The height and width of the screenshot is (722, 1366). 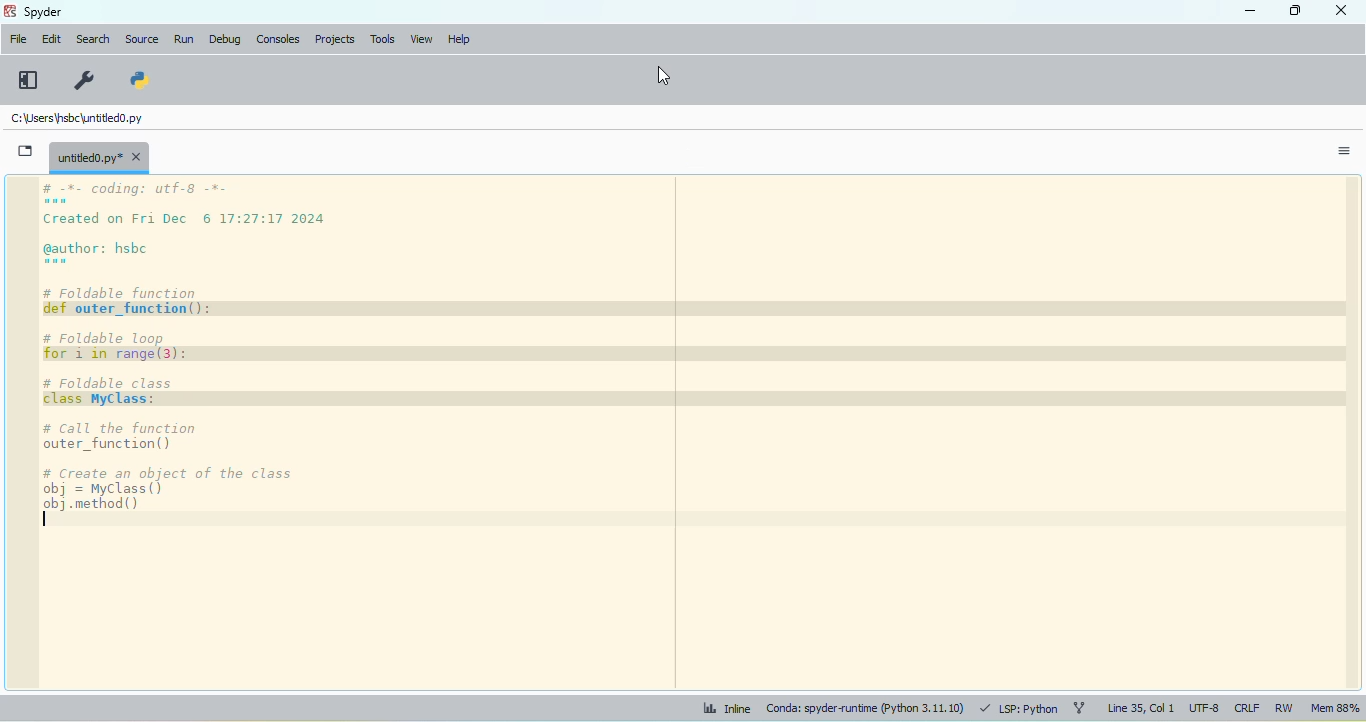 I want to click on PYTHONPATH manager, so click(x=137, y=80).